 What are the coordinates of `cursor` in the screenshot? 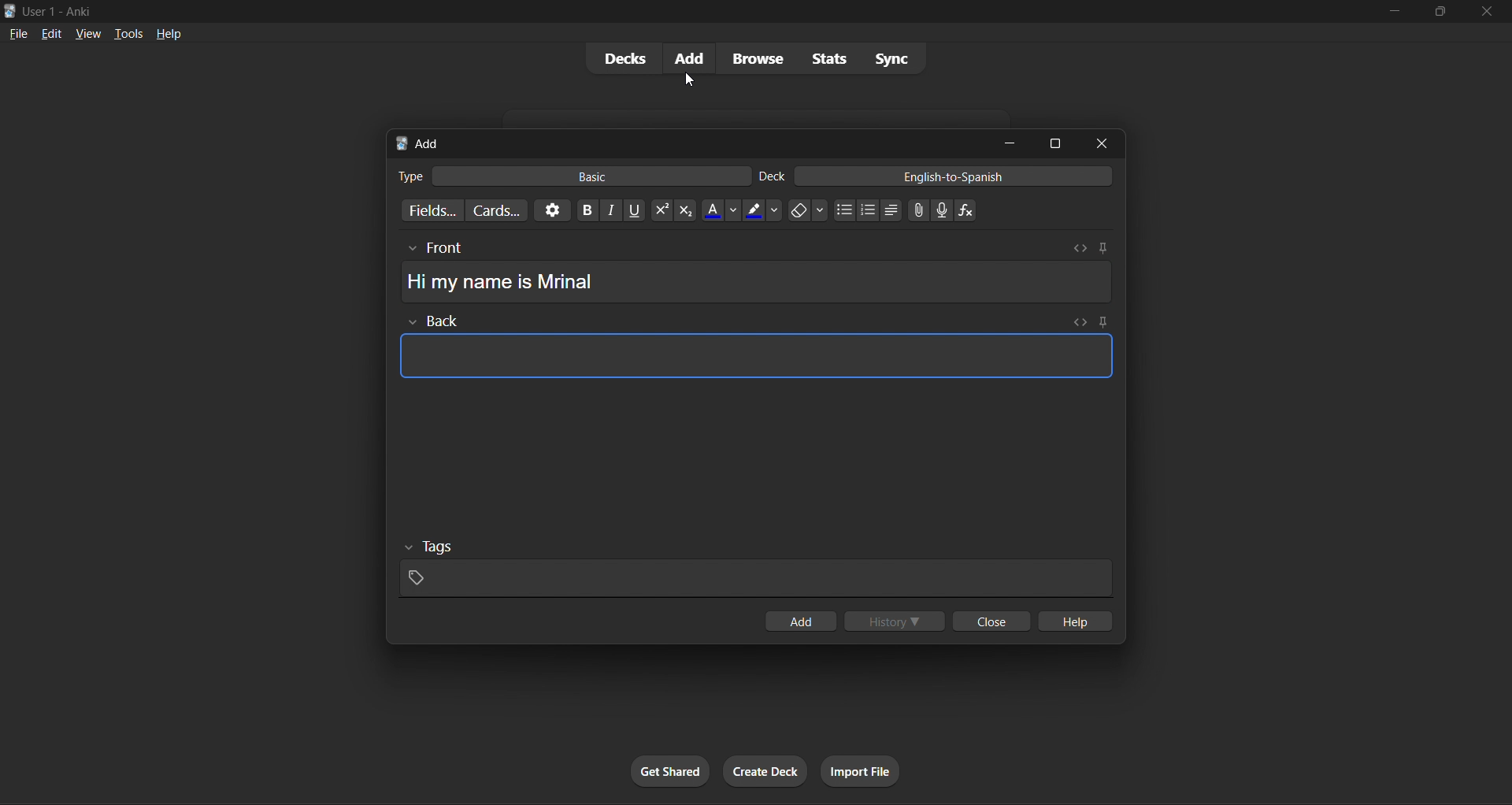 It's located at (691, 78).